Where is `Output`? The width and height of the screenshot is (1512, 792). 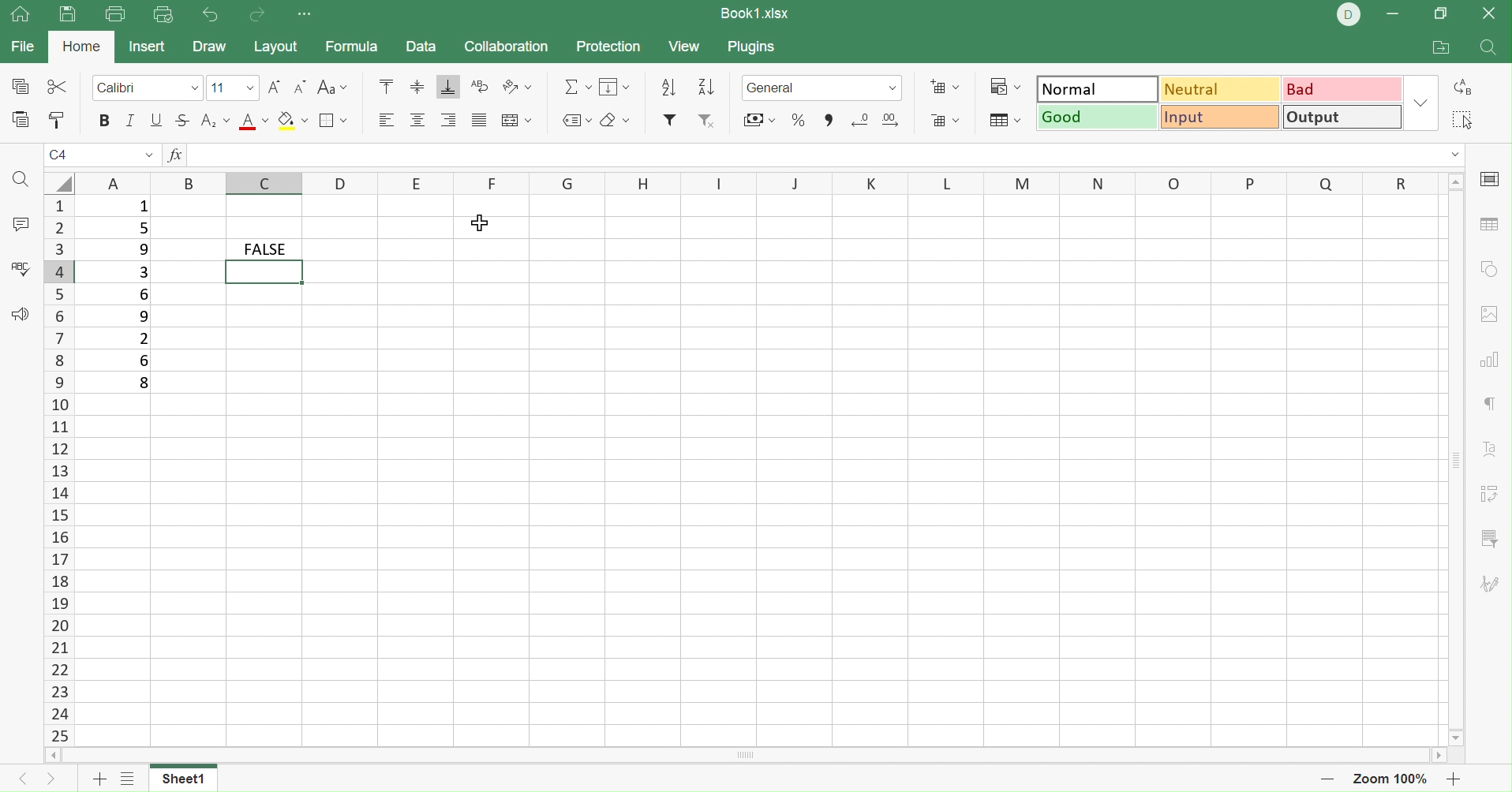 Output is located at coordinates (1342, 118).